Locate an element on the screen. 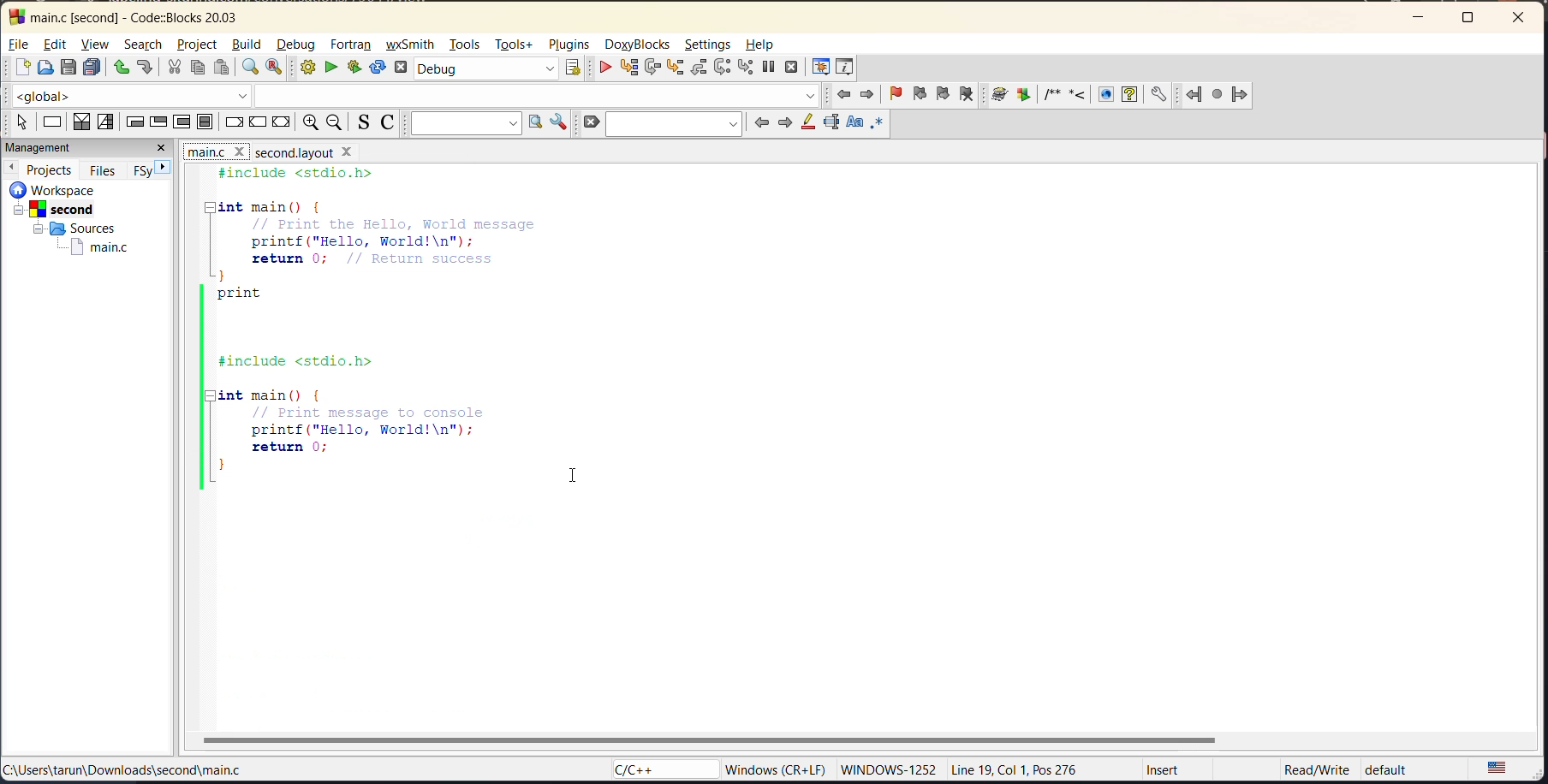 This screenshot has height=784, width=1548. cursor is located at coordinates (573, 474).